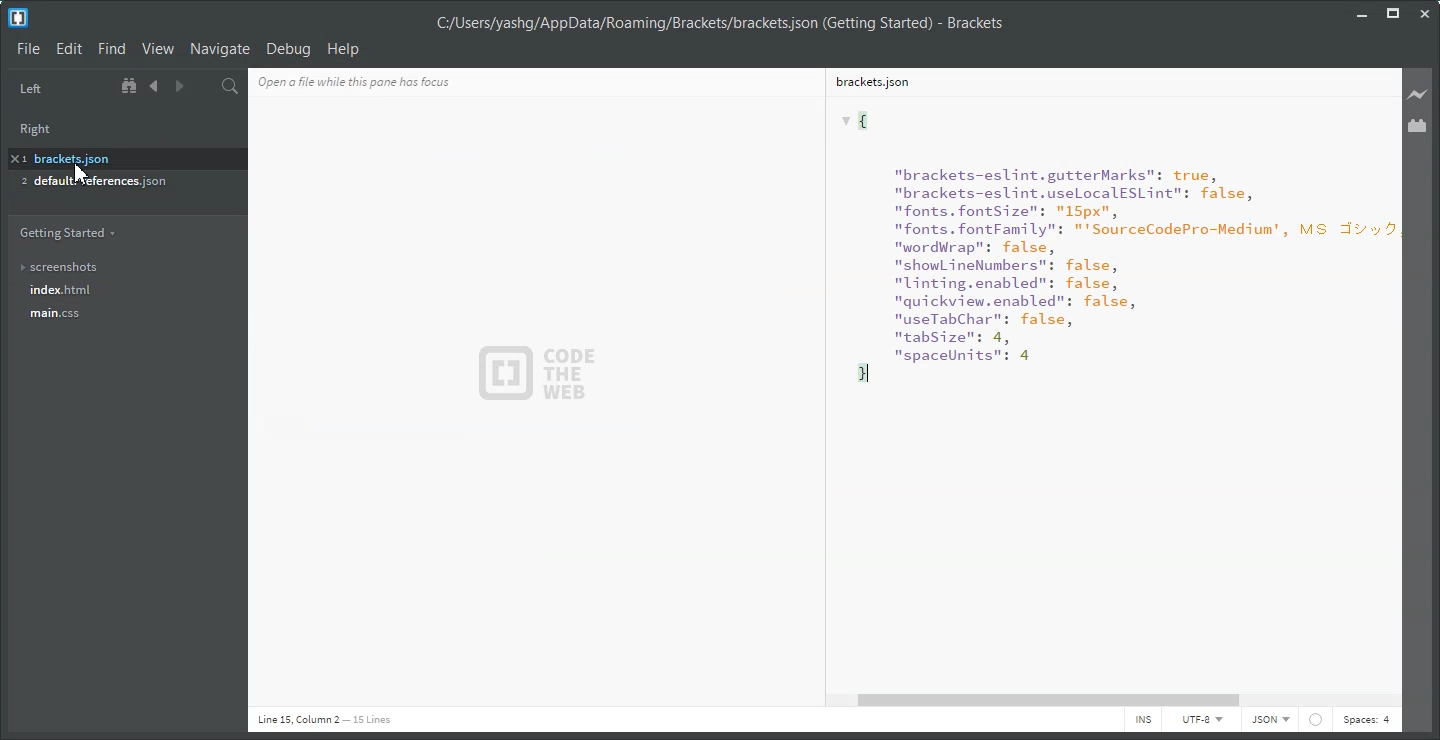 The height and width of the screenshot is (740, 1440). Describe the element at coordinates (1393, 13) in the screenshot. I see `Maximize` at that location.